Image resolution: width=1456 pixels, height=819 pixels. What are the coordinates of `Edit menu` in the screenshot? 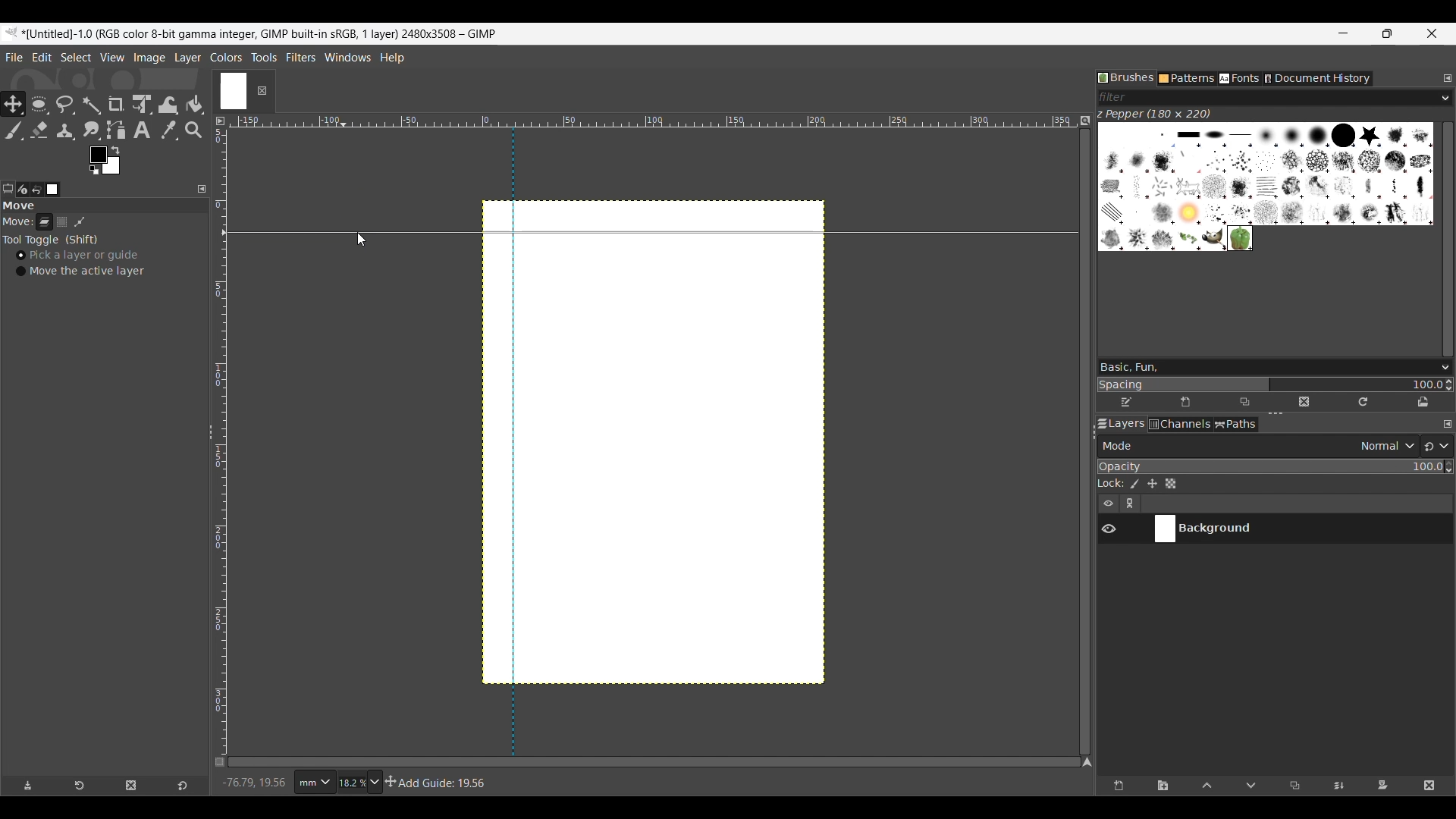 It's located at (42, 57).